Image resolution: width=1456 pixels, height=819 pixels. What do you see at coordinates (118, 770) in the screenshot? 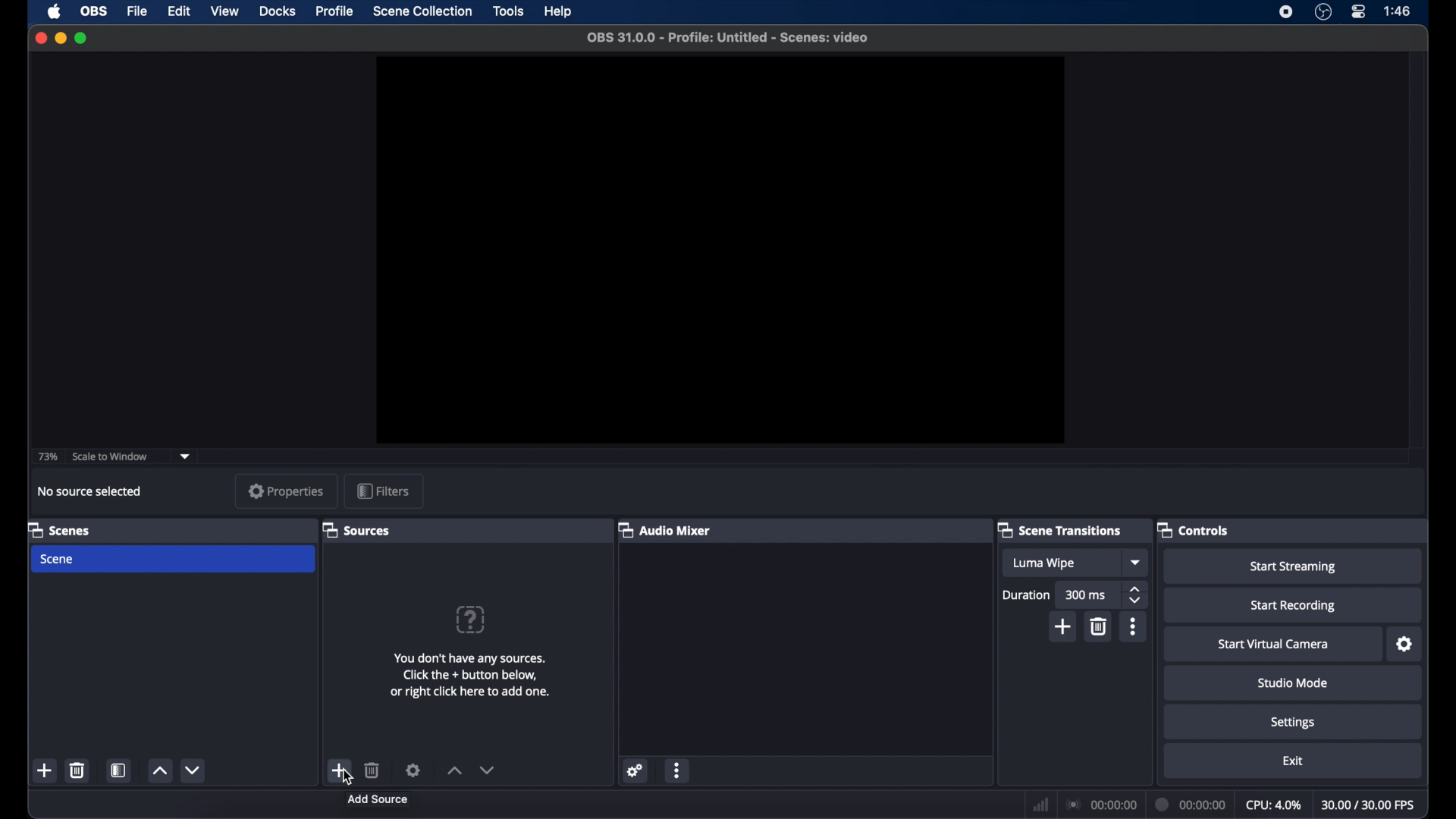
I see `scene filters` at bounding box center [118, 770].